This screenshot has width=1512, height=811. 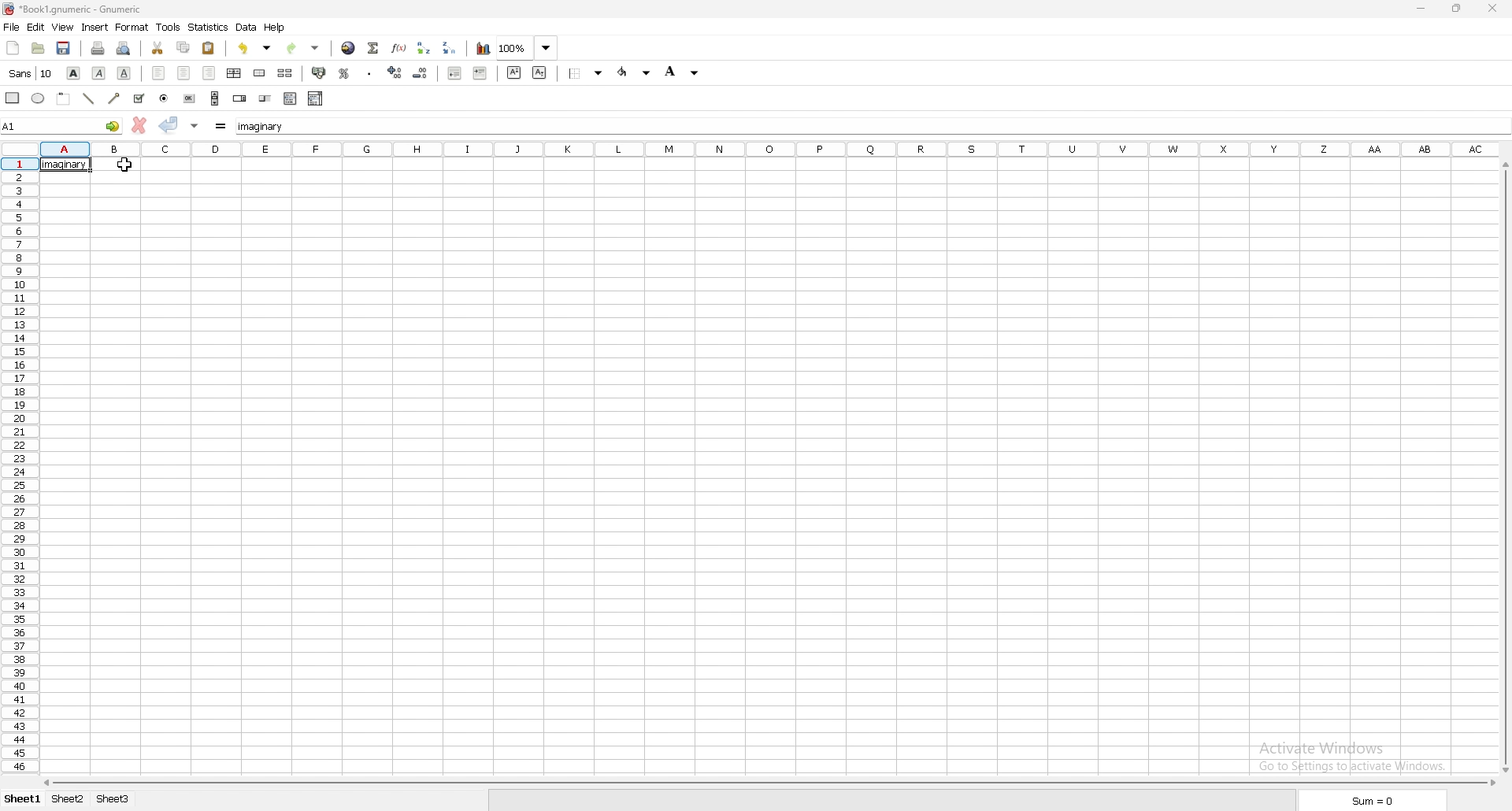 I want to click on word, so click(x=66, y=165).